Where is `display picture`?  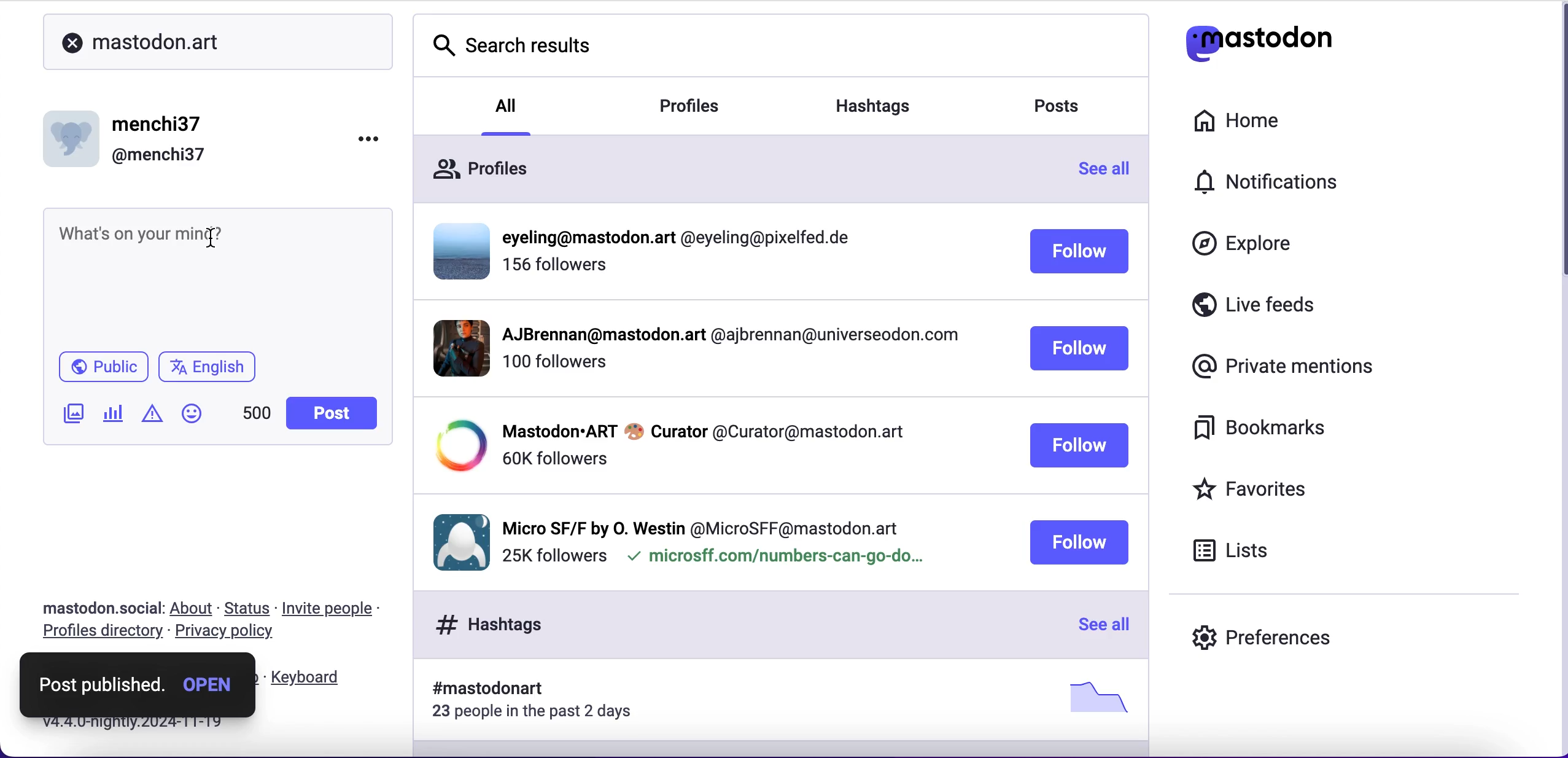 display picture is located at coordinates (74, 135).